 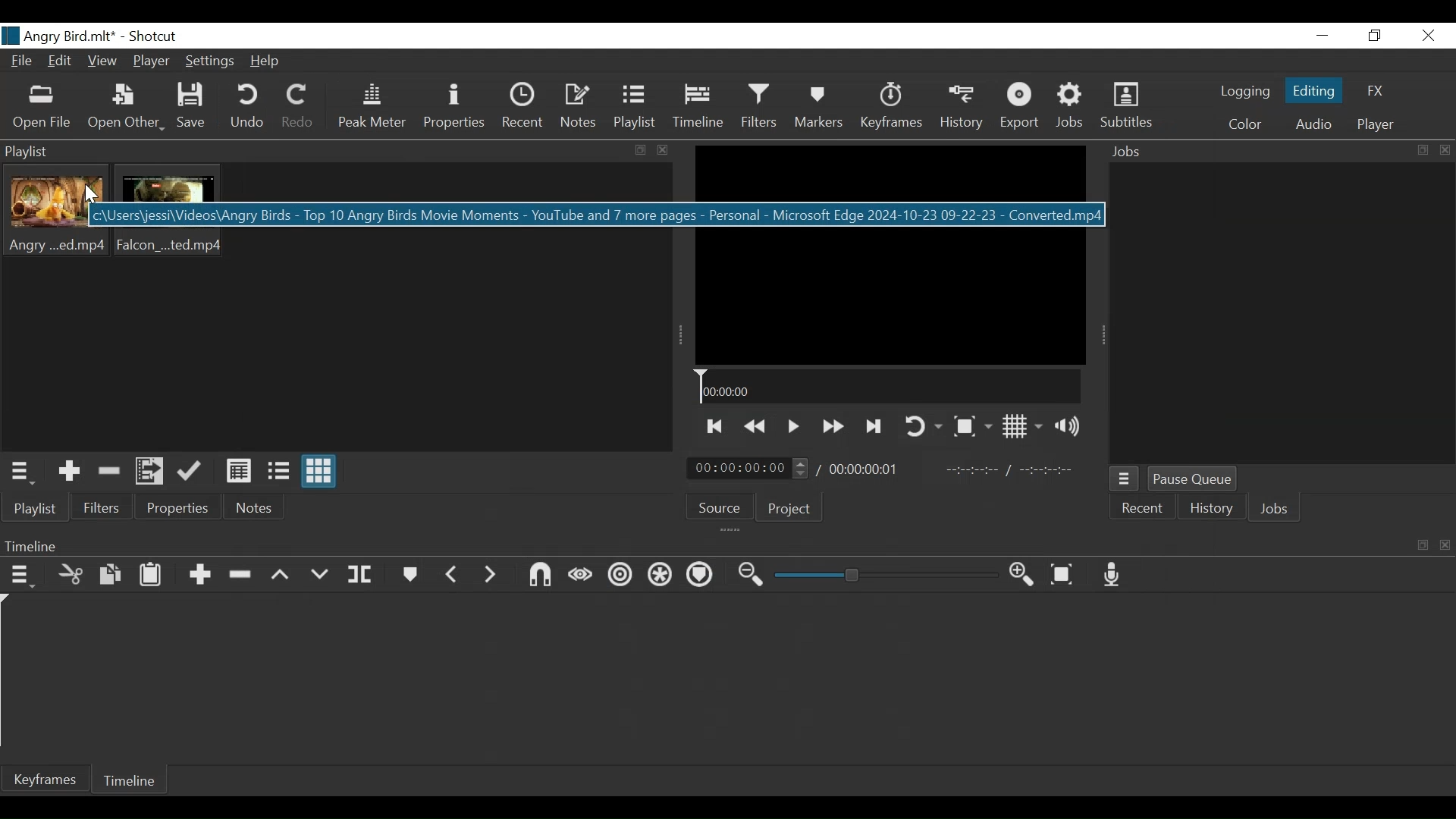 What do you see at coordinates (454, 108) in the screenshot?
I see `Properties` at bounding box center [454, 108].